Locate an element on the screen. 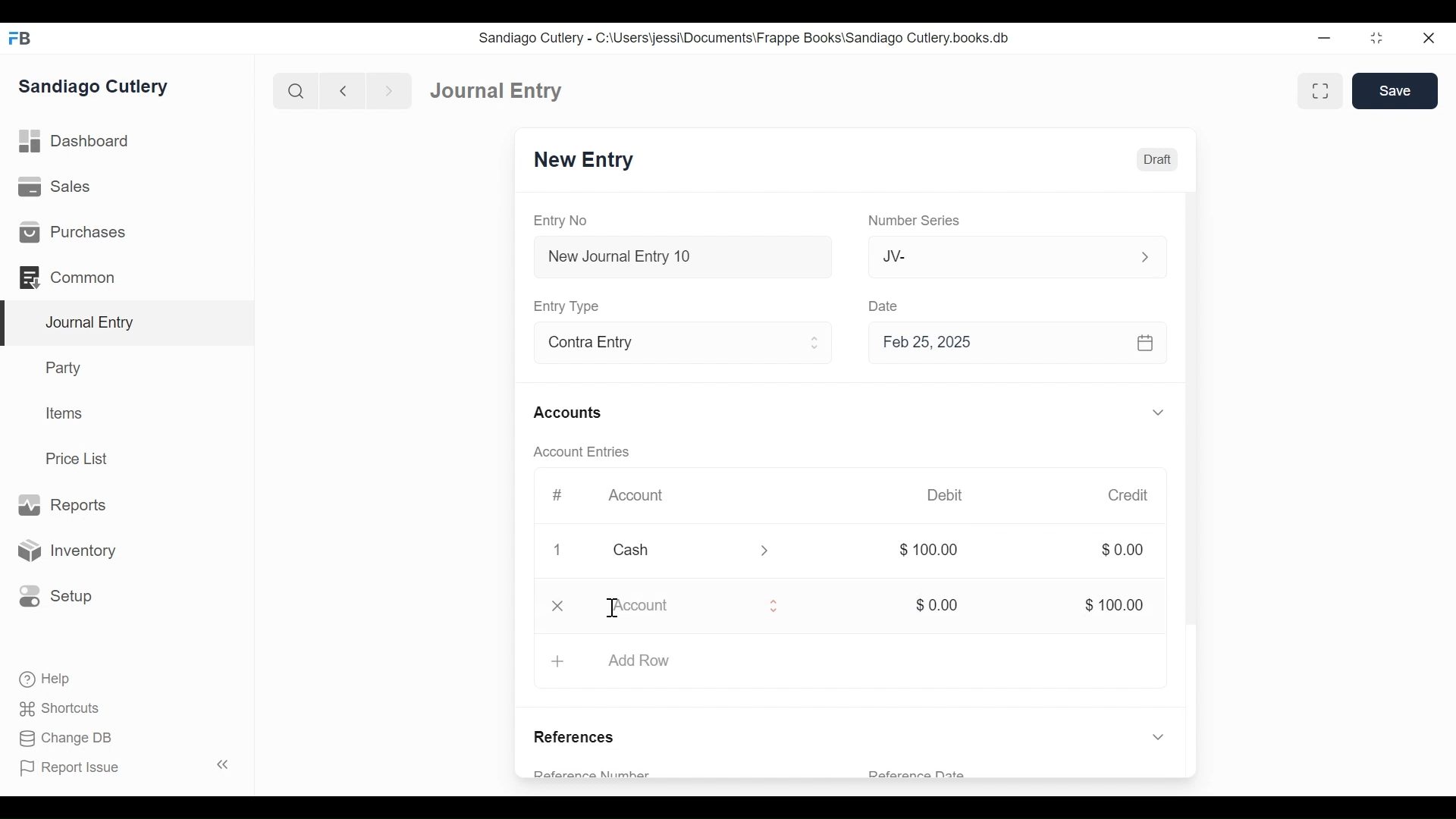  Expand is located at coordinates (816, 345).